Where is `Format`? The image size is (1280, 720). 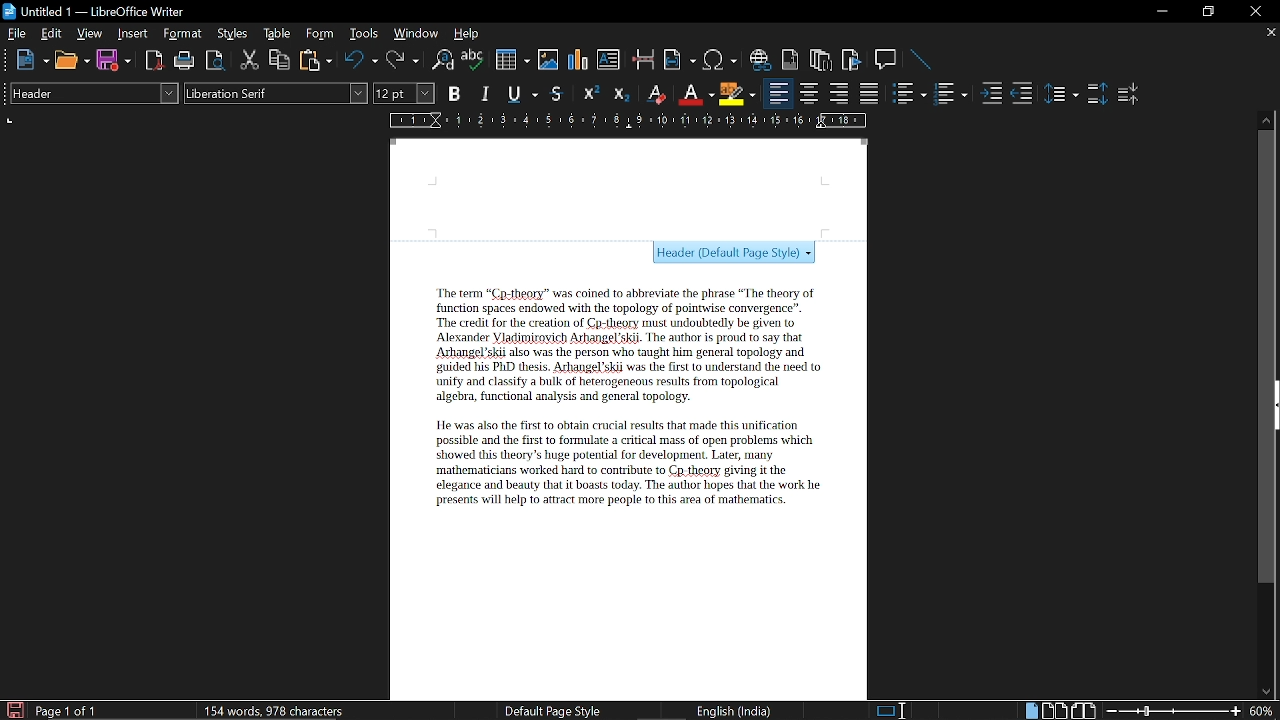
Format is located at coordinates (185, 34).